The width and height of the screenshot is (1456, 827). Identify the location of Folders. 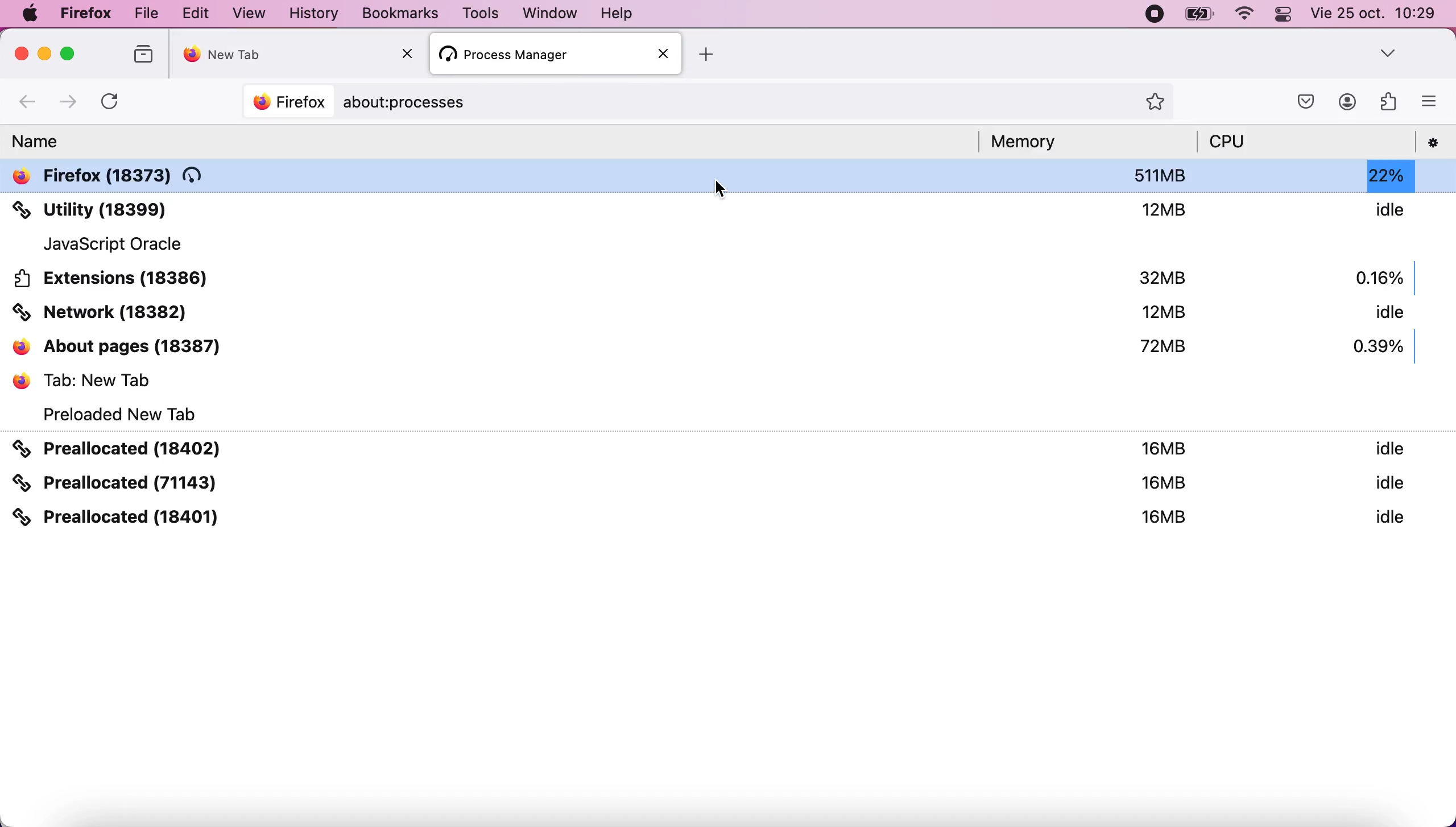
(146, 54).